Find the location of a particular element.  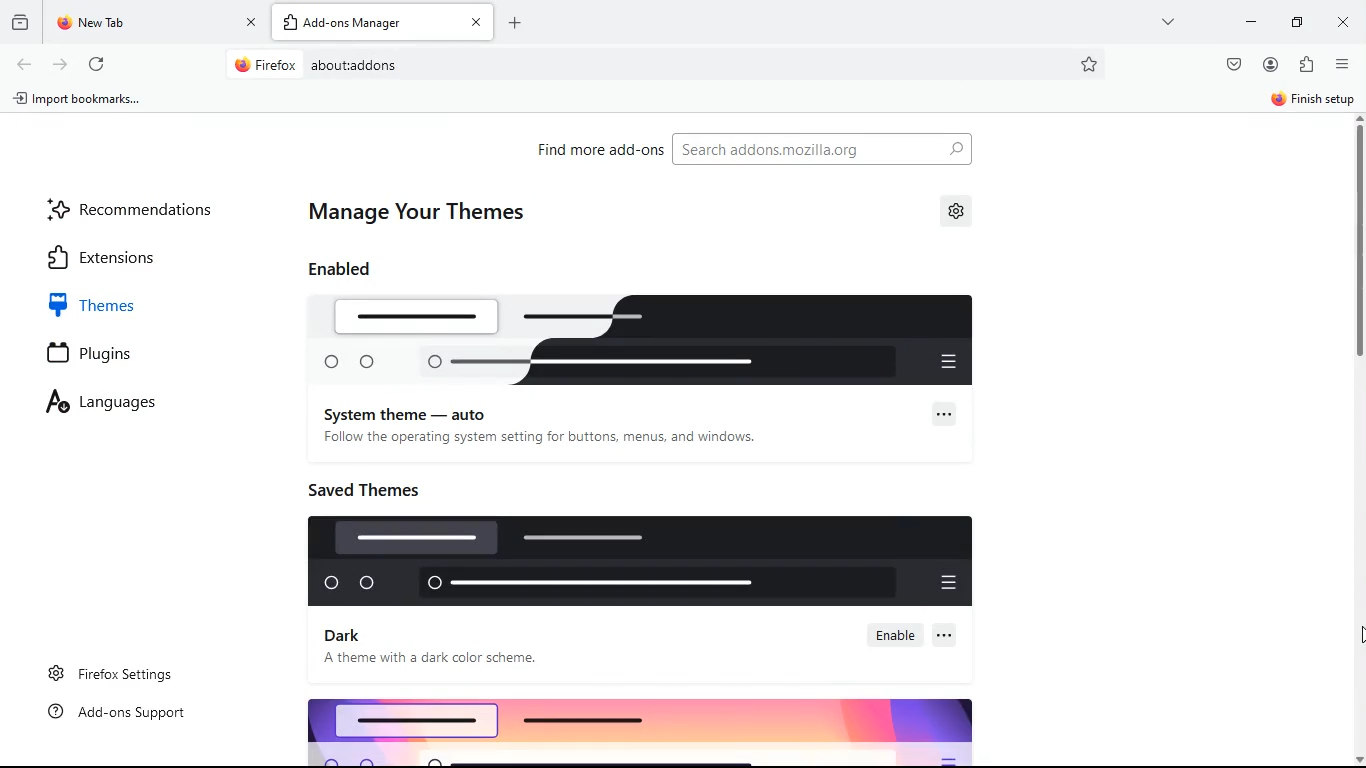

forward is located at coordinates (61, 66).